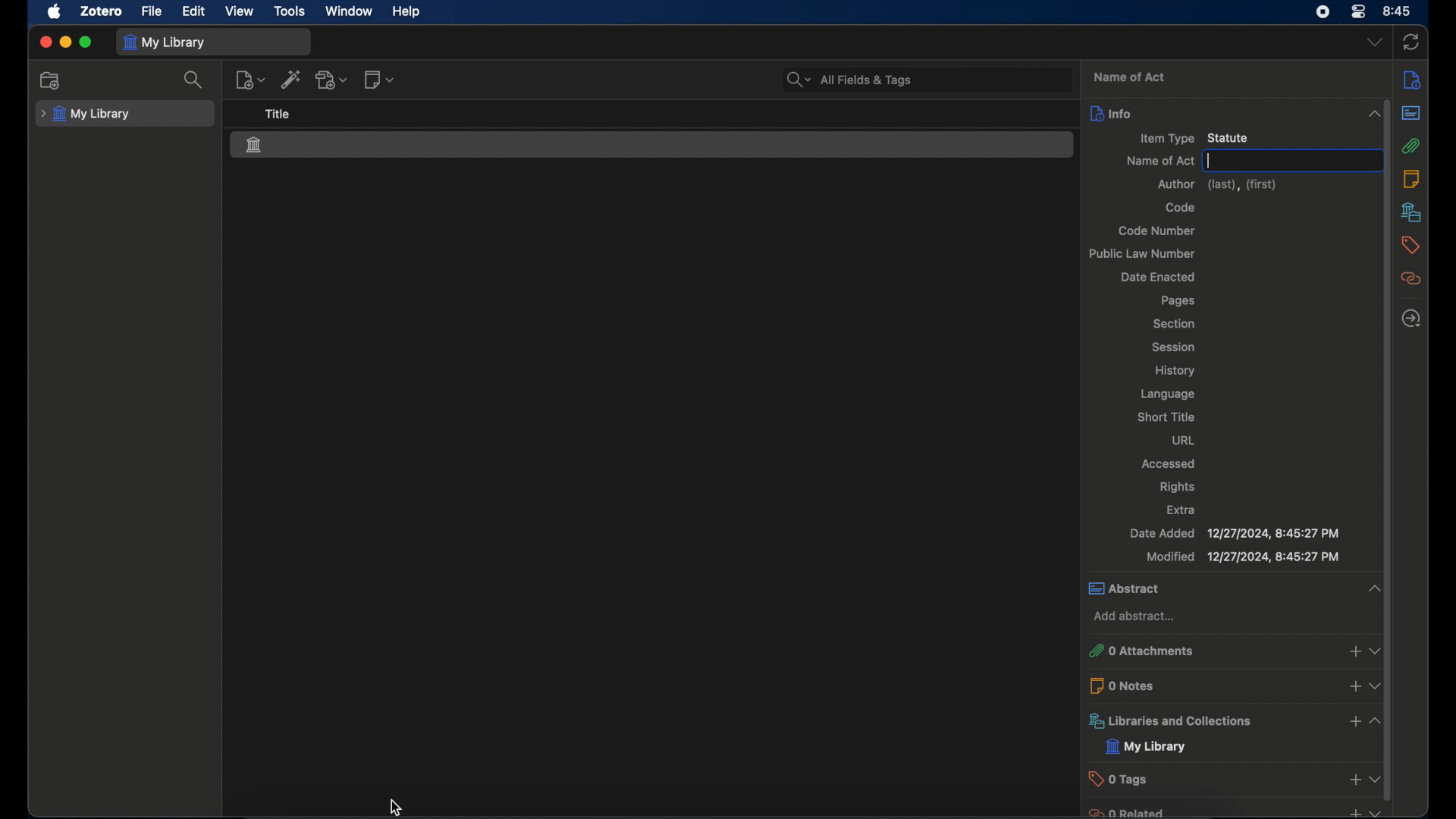 The width and height of the screenshot is (1456, 819). What do you see at coordinates (1175, 323) in the screenshot?
I see `section` at bounding box center [1175, 323].